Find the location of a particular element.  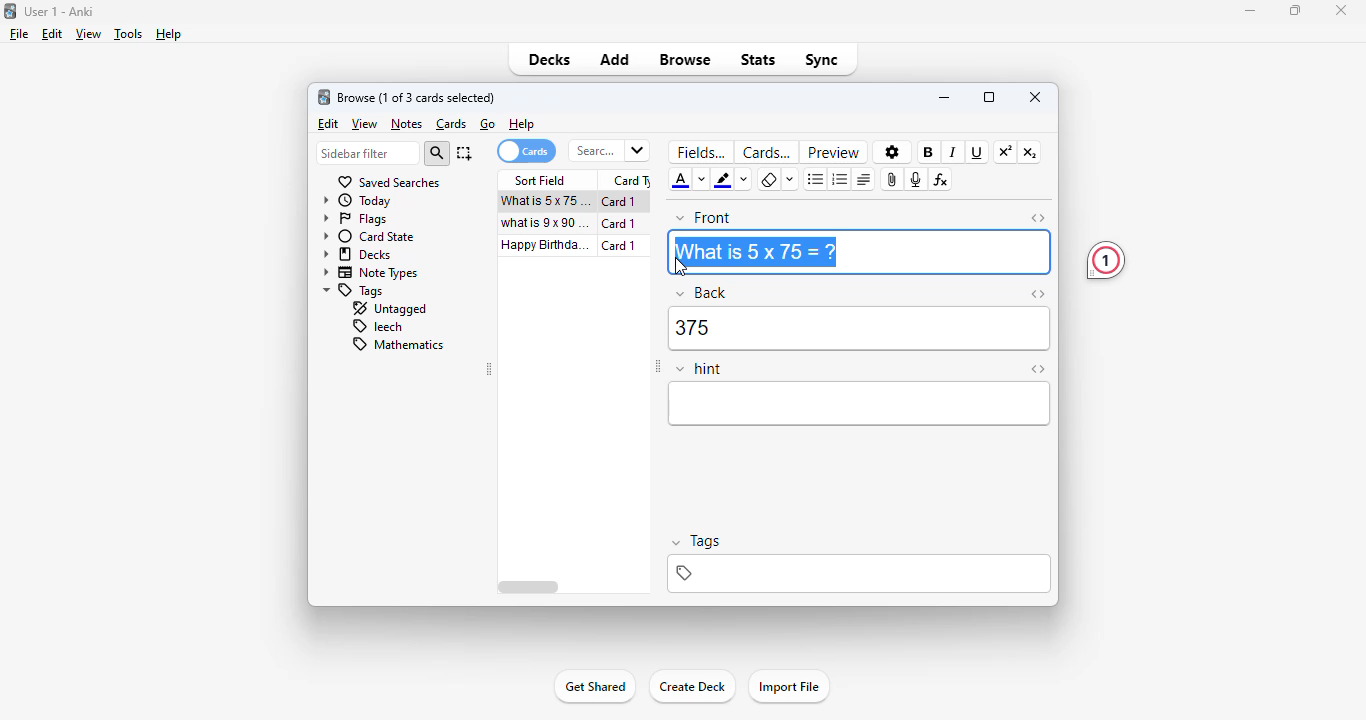

change color is located at coordinates (702, 181).